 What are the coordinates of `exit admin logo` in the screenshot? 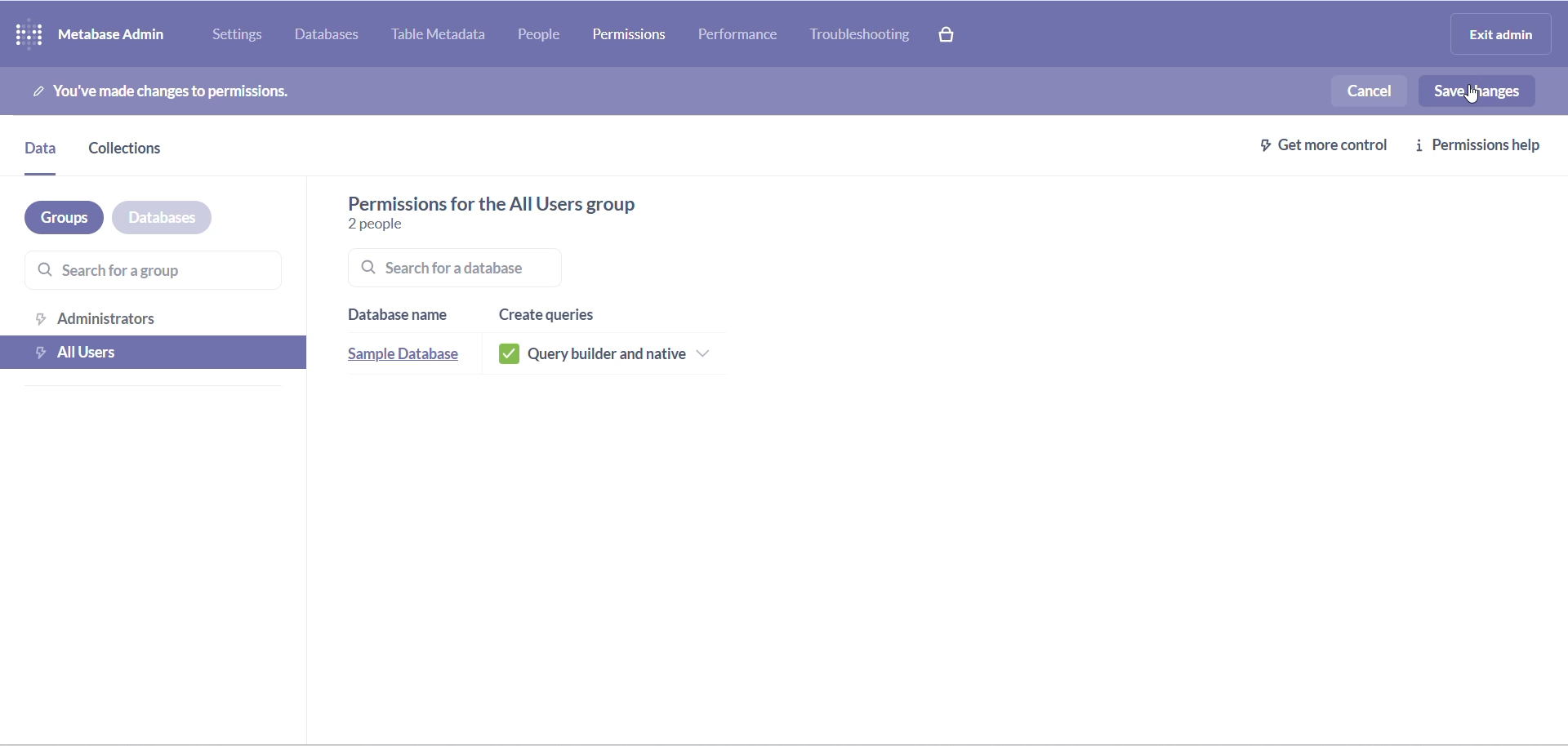 It's located at (1506, 36).